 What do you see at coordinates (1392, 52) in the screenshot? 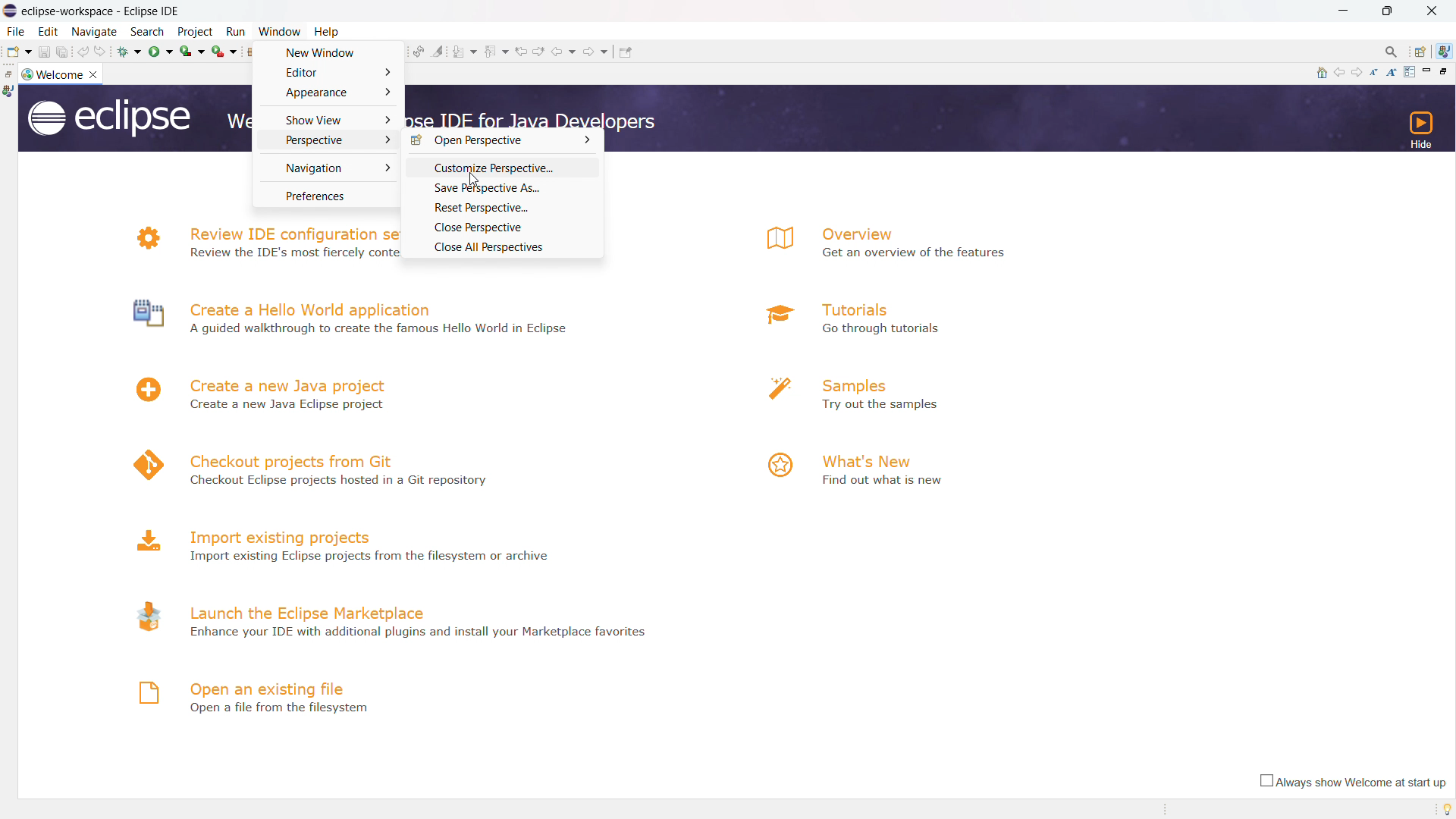
I see `access command and other items` at bounding box center [1392, 52].